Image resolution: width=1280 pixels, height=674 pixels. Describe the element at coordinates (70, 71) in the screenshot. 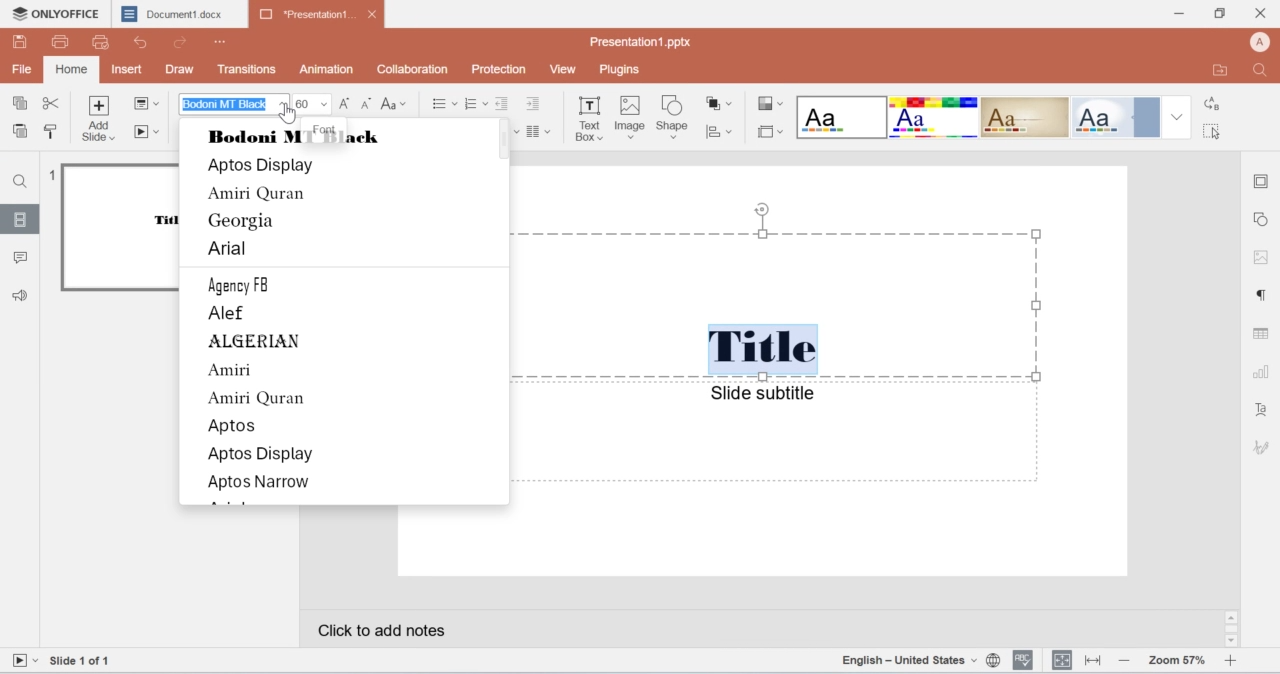

I see `home` at that location.